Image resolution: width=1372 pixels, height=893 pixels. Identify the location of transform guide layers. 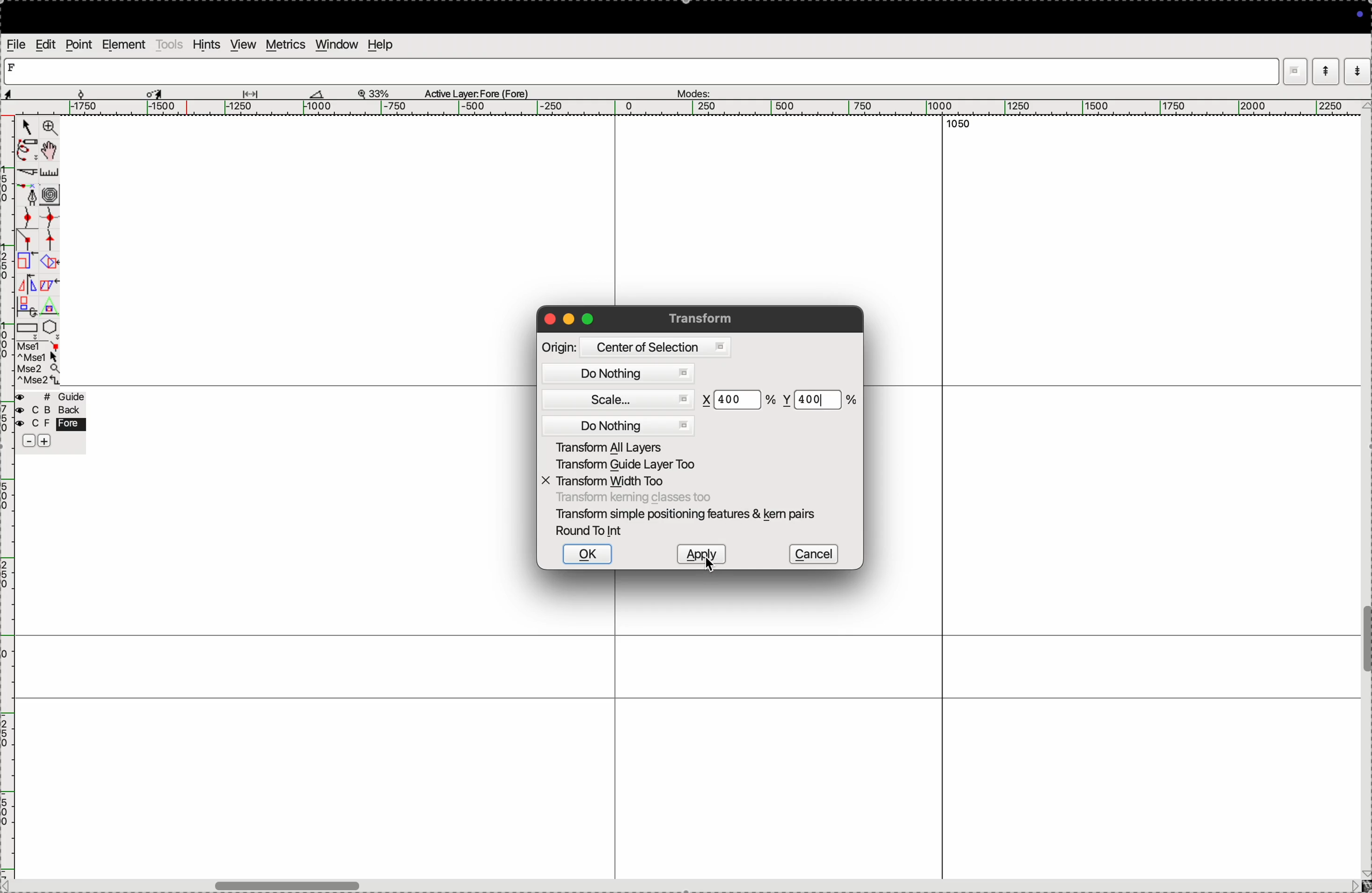
(624, 466).